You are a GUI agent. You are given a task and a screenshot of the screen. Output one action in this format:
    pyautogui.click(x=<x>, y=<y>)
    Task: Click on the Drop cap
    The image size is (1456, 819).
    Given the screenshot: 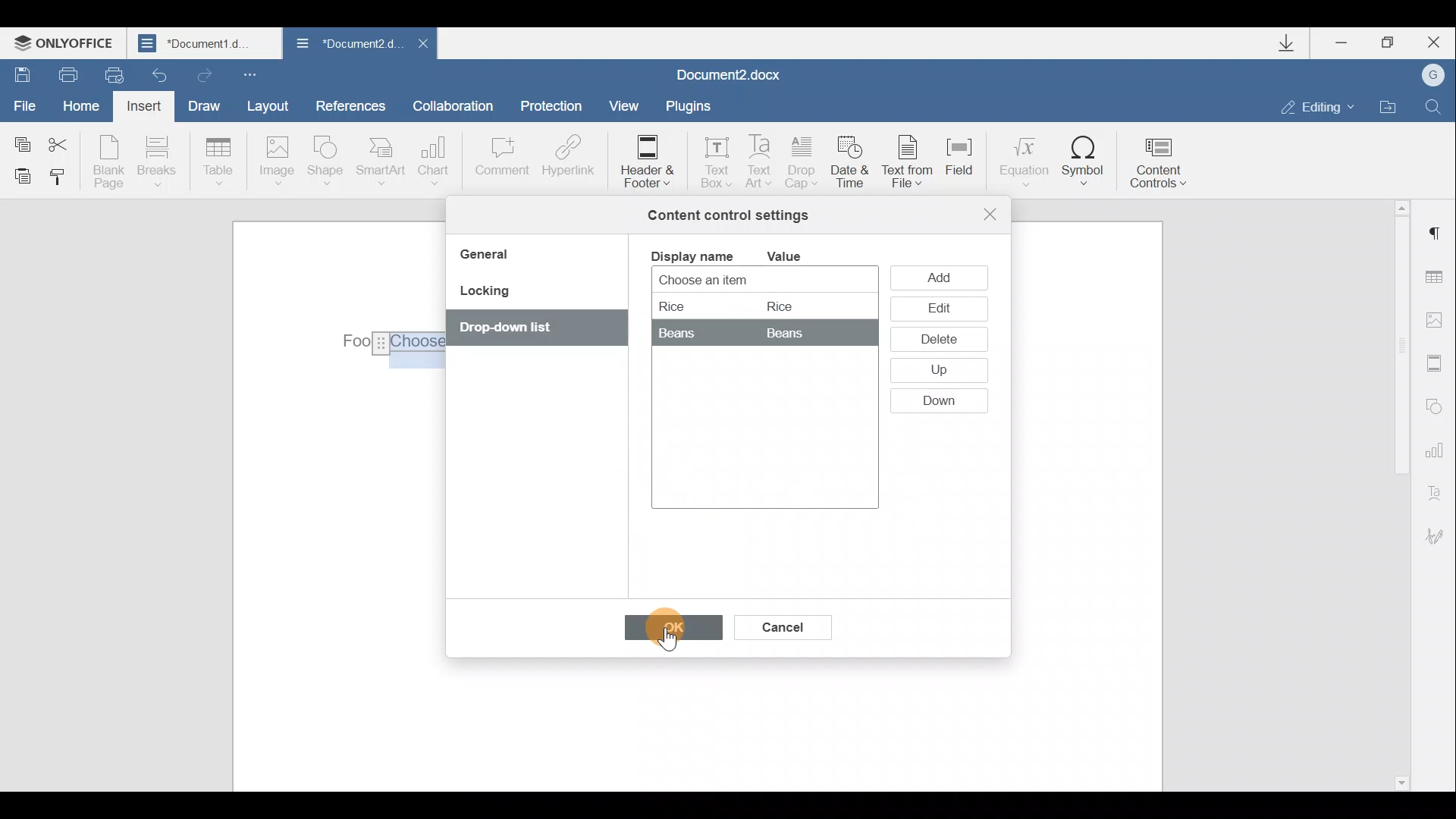 What is the action you would take?
    pyautogui.click(x=802, y=164)
    